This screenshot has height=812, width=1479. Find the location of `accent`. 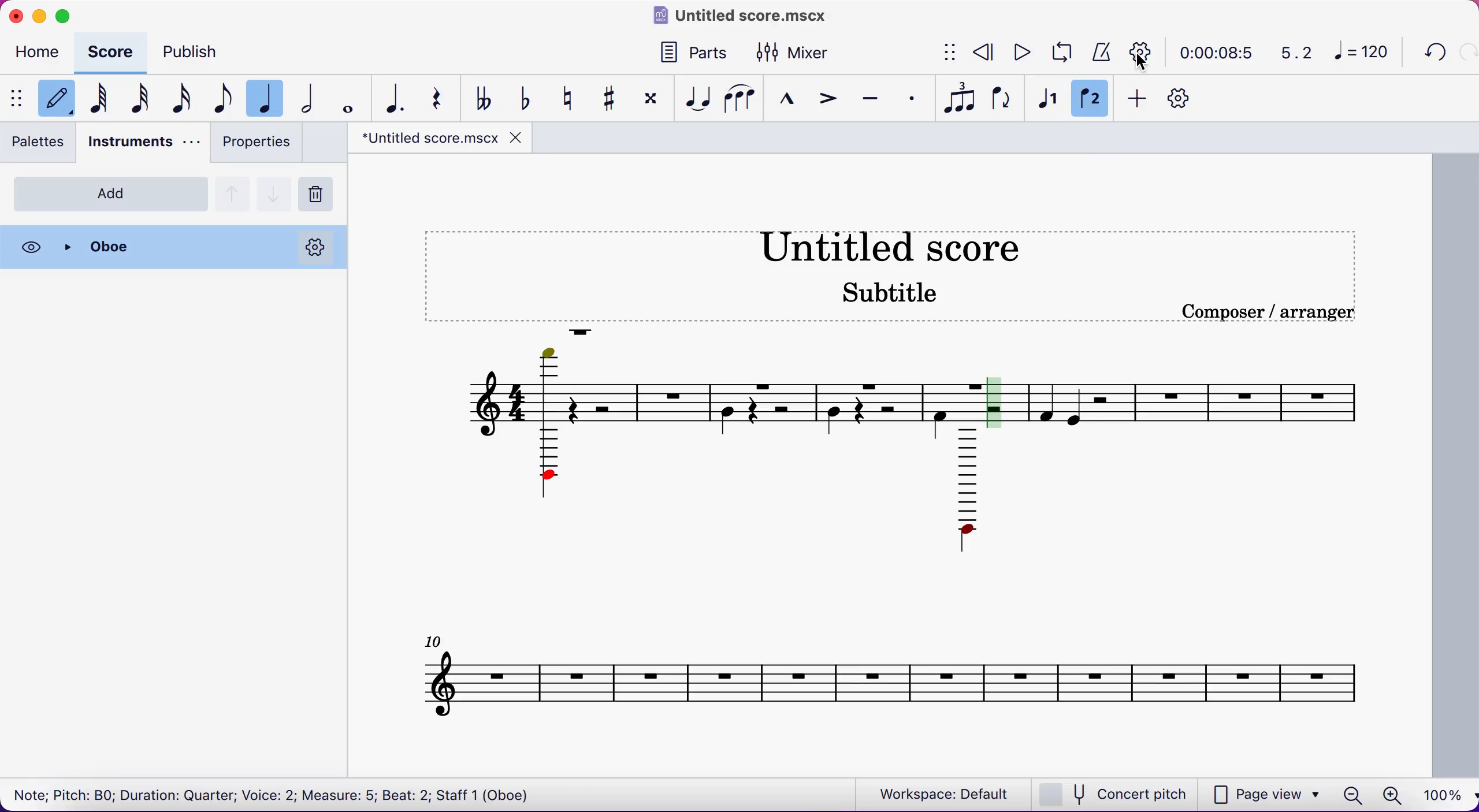

accent is located at coordinates (831, 101).